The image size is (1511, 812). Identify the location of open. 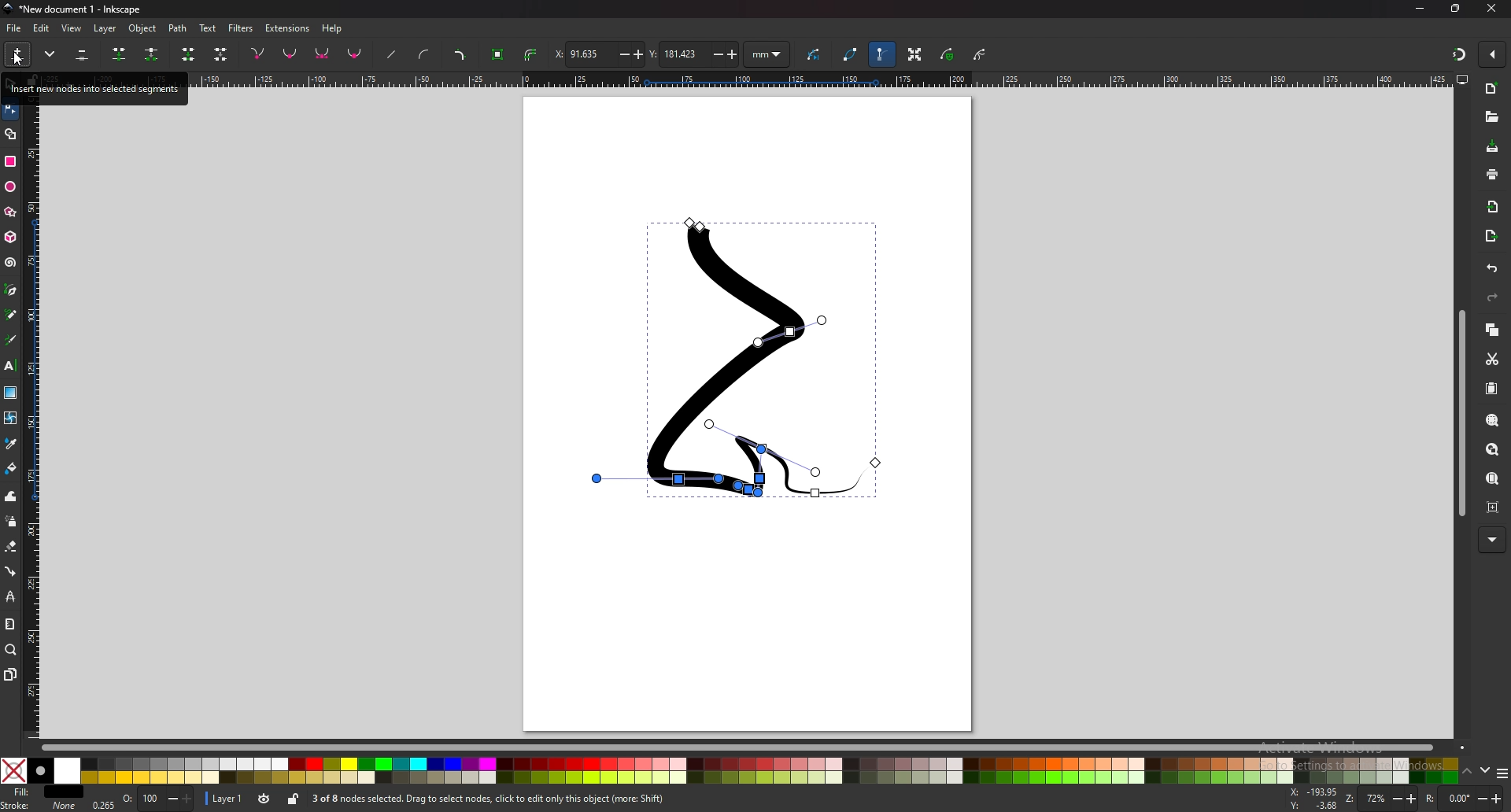
(1491, 117).